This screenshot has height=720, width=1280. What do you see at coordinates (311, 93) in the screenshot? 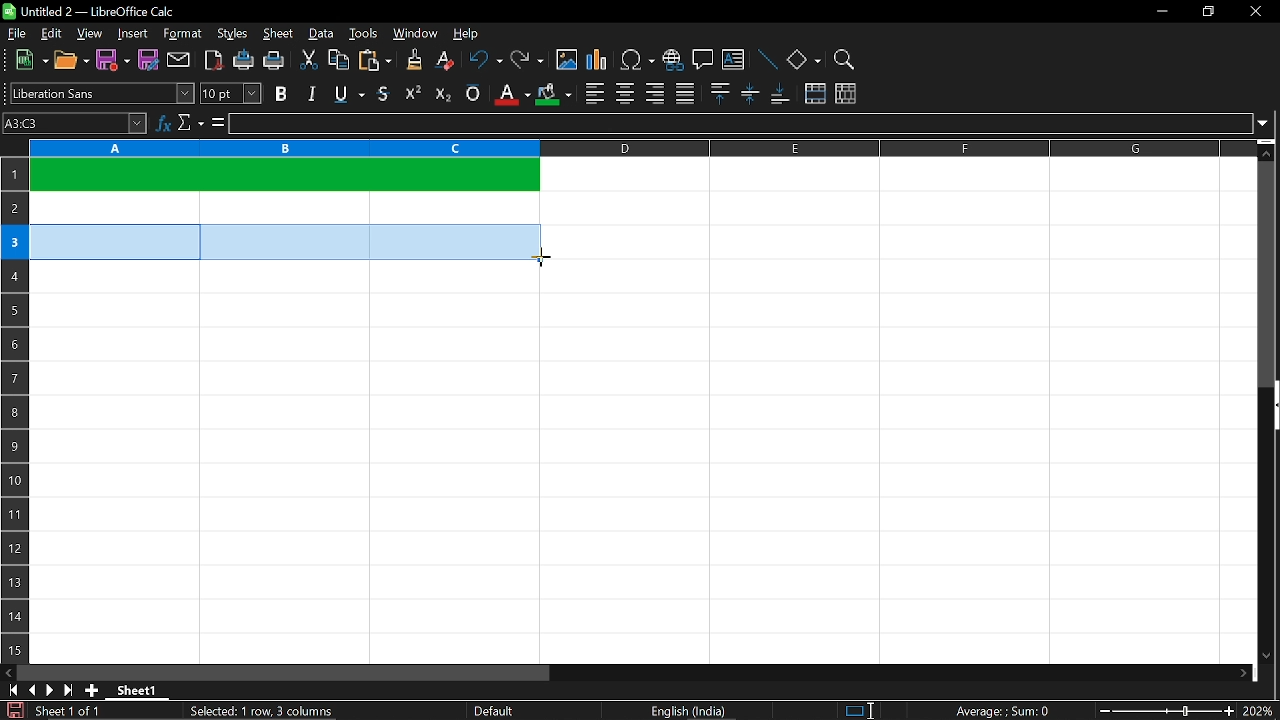
I see `italic` at bounding box center [311, 93].